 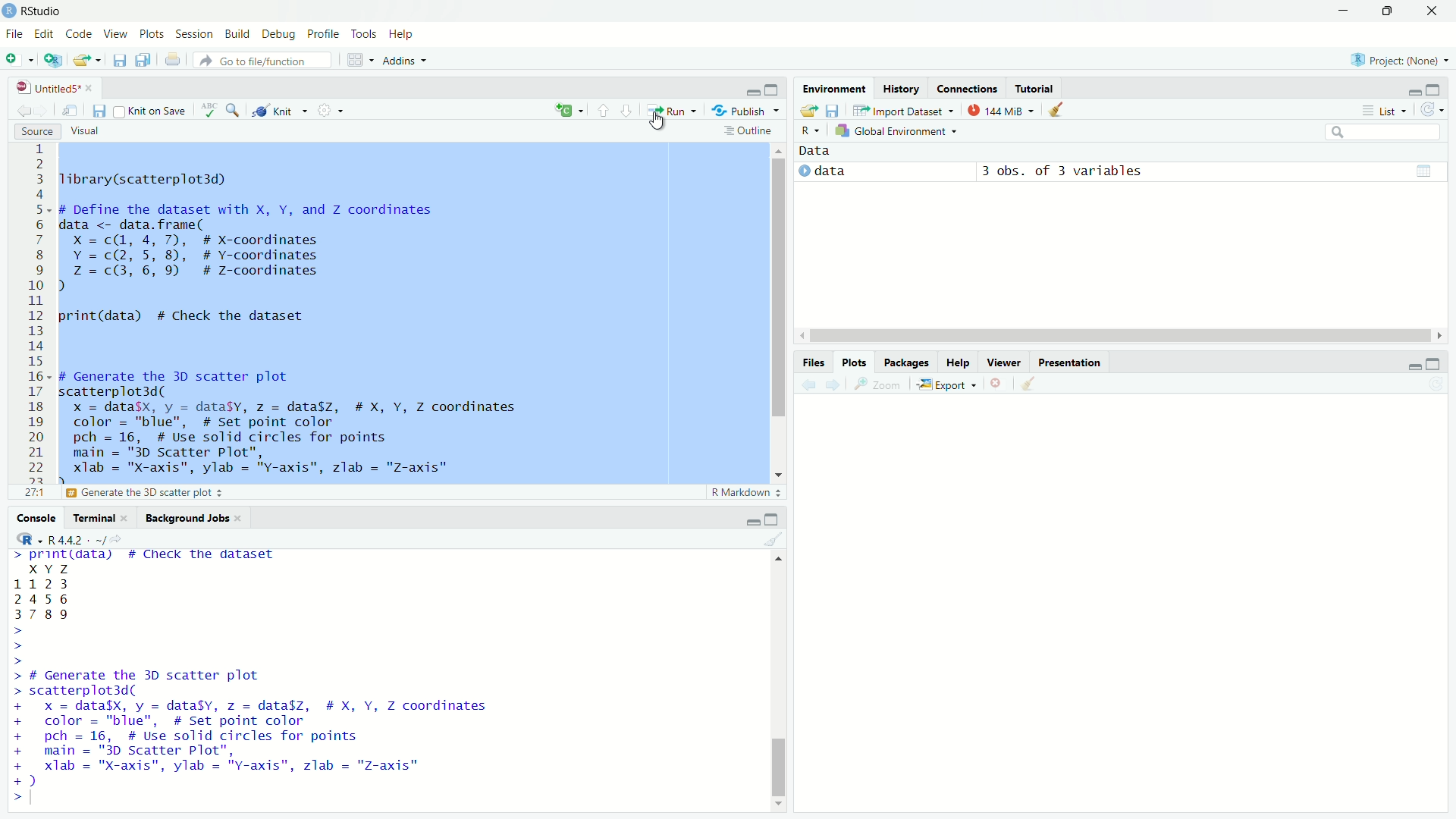 I want to click on outline, so click(x=751, y=130).